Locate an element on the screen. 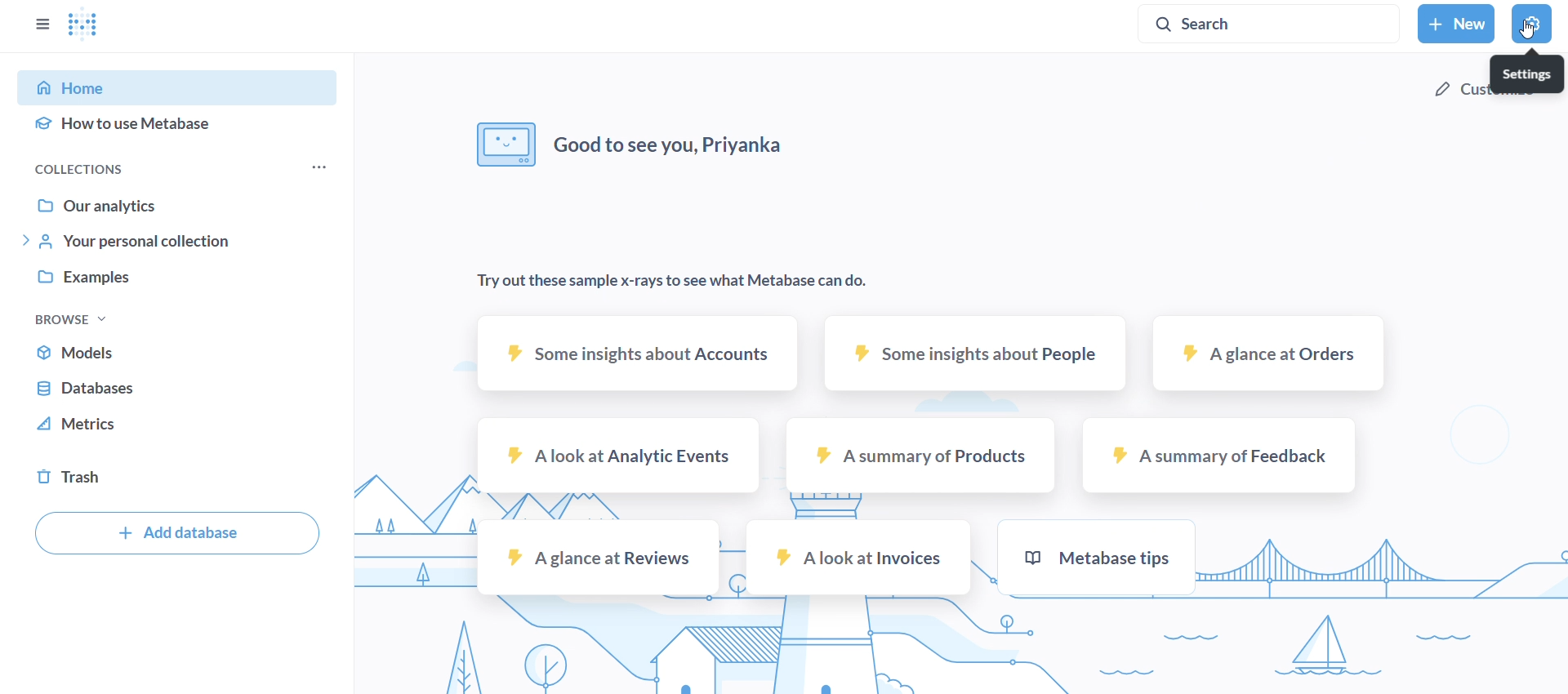  new is located at coordinates (1455, 23).